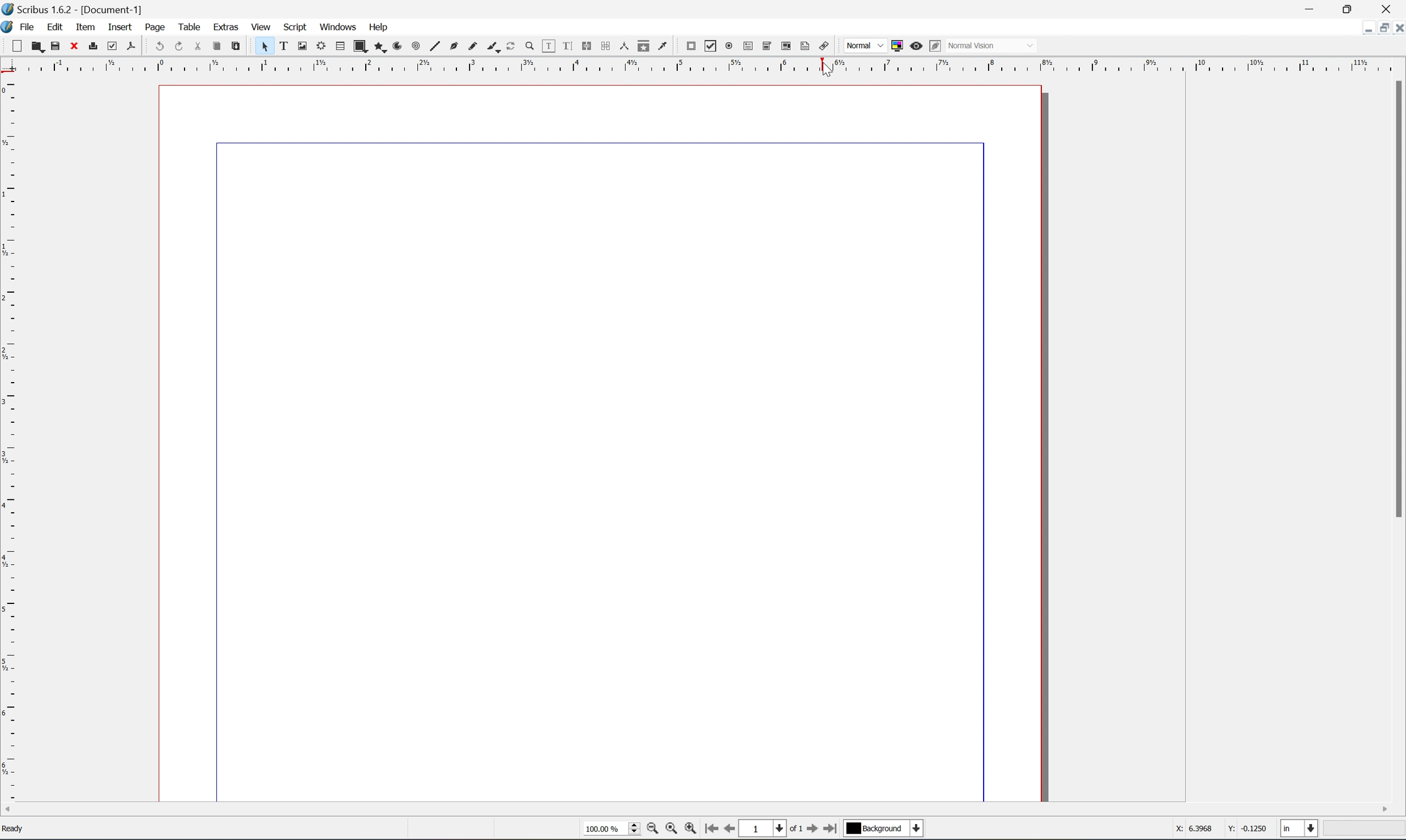  Describe the element at coordinates (711, 46) in the screenshot. I see `pdf checkbox` at that location.